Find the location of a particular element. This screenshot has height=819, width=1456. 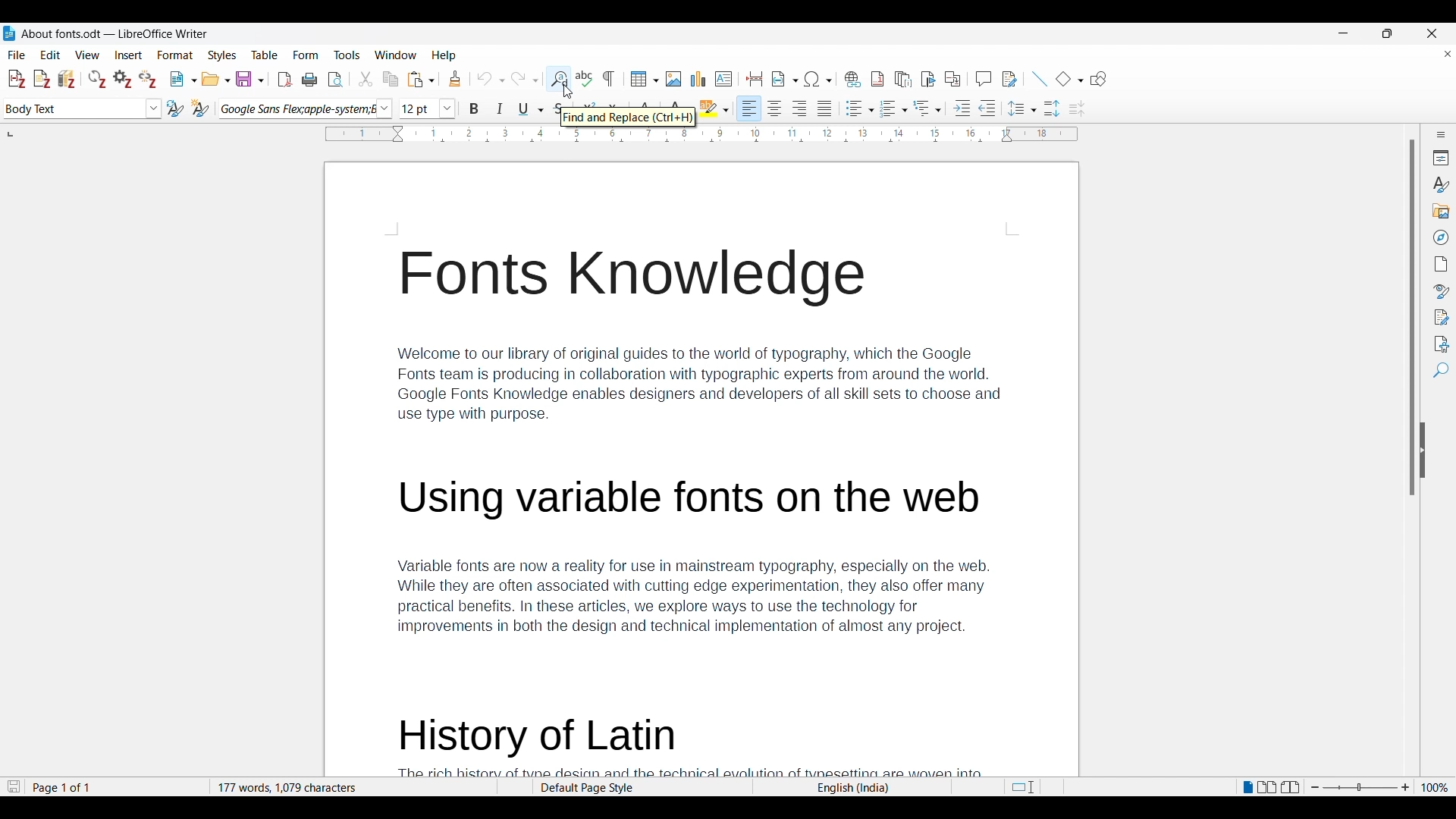

Find is located at coordinates (1440, 371).